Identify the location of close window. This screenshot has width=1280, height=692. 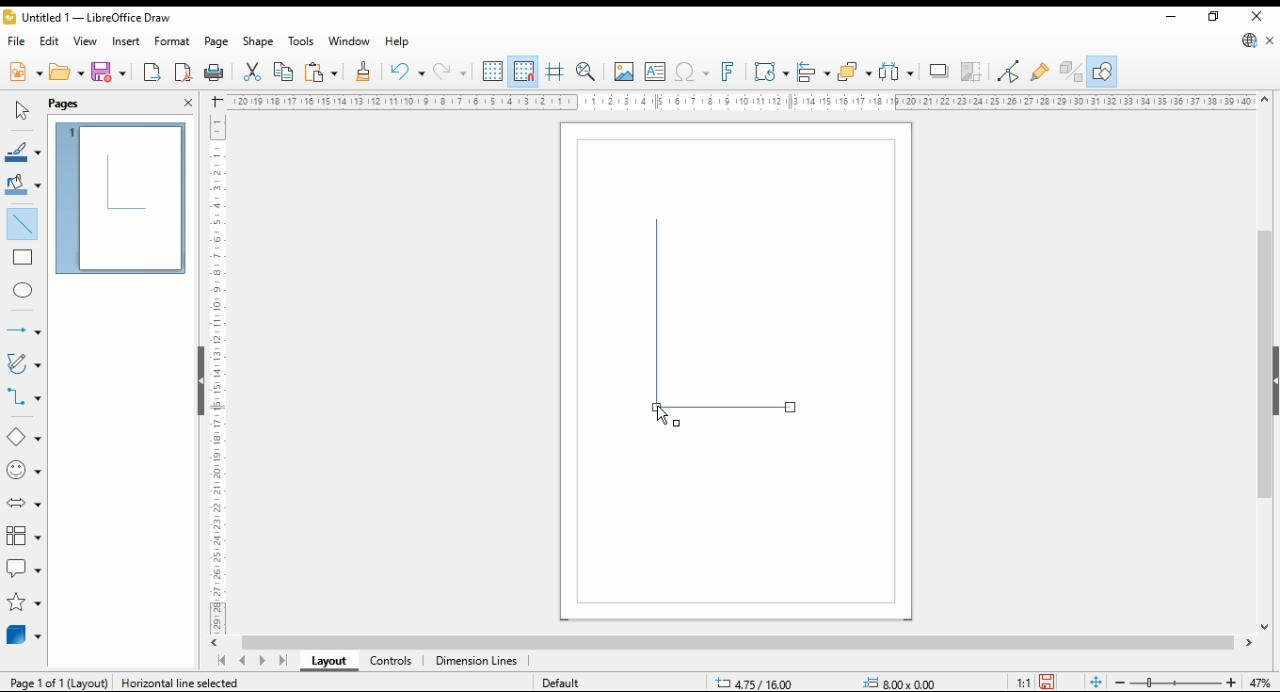
(1259, 16).